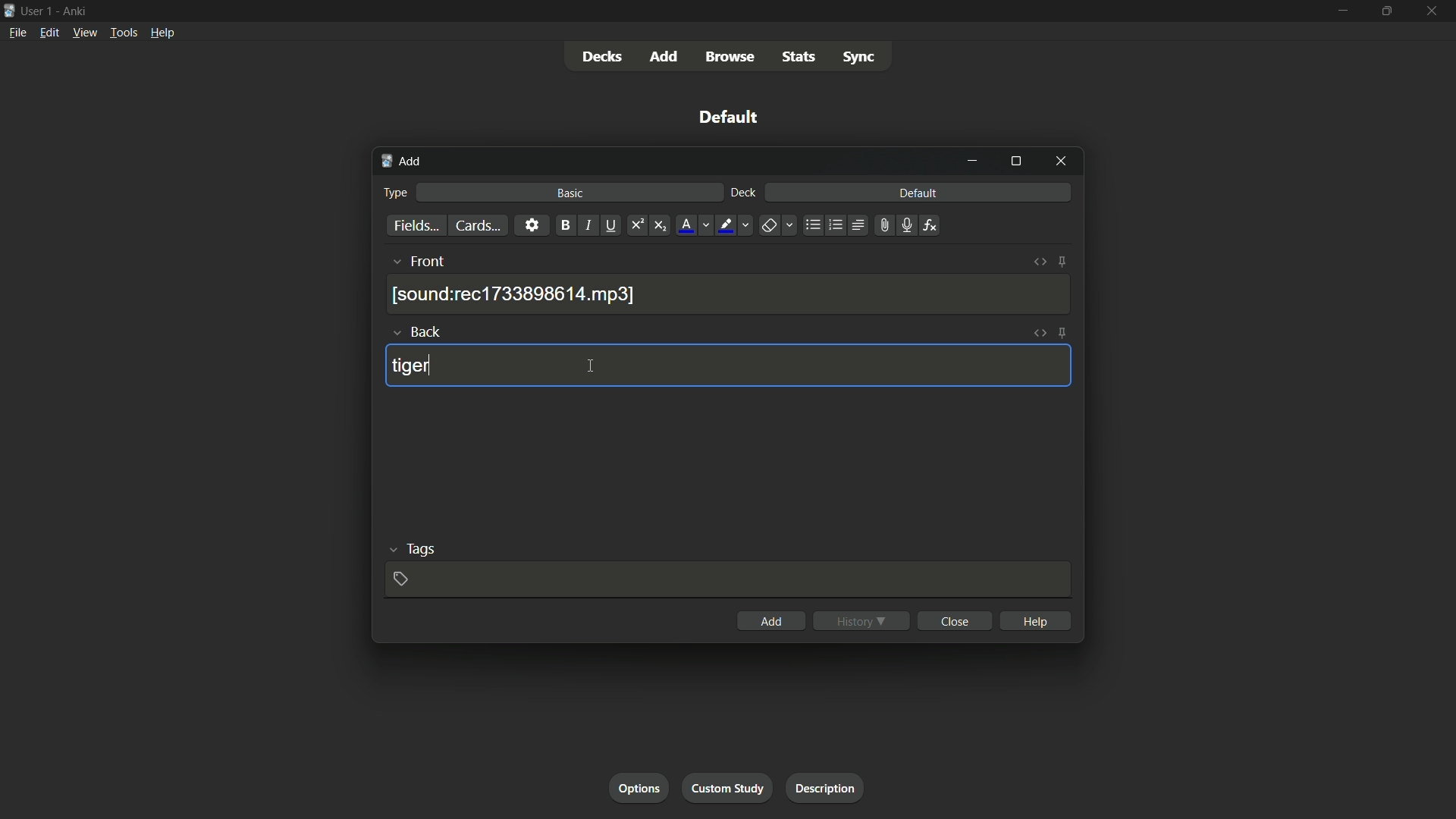 This screenshot has height=819, width=1456. Describe the element at coordinates (420, 551) in the screenshot. I see `tags` at that location.